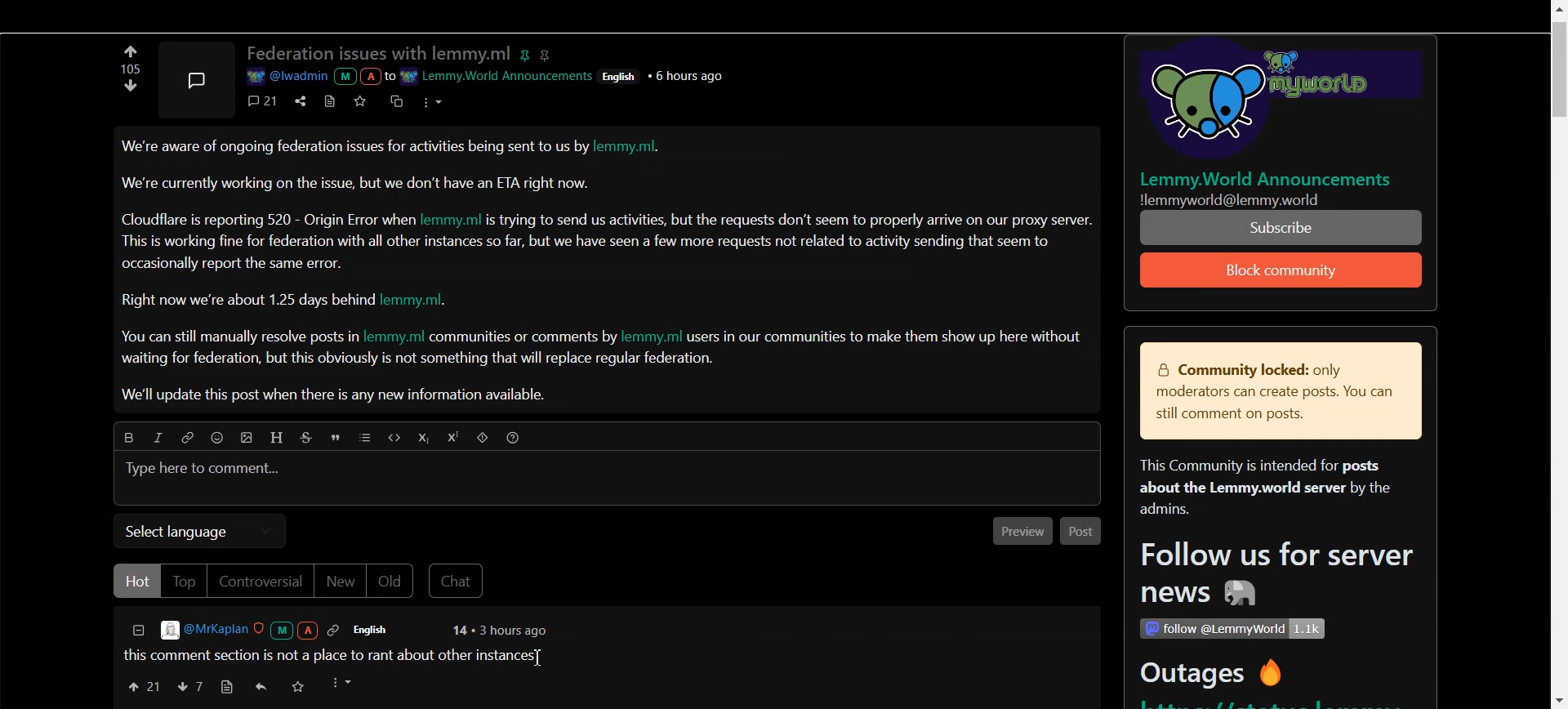 This screenshot has height=709, width=1568. I want to click on Upvote, so click(131, 91).